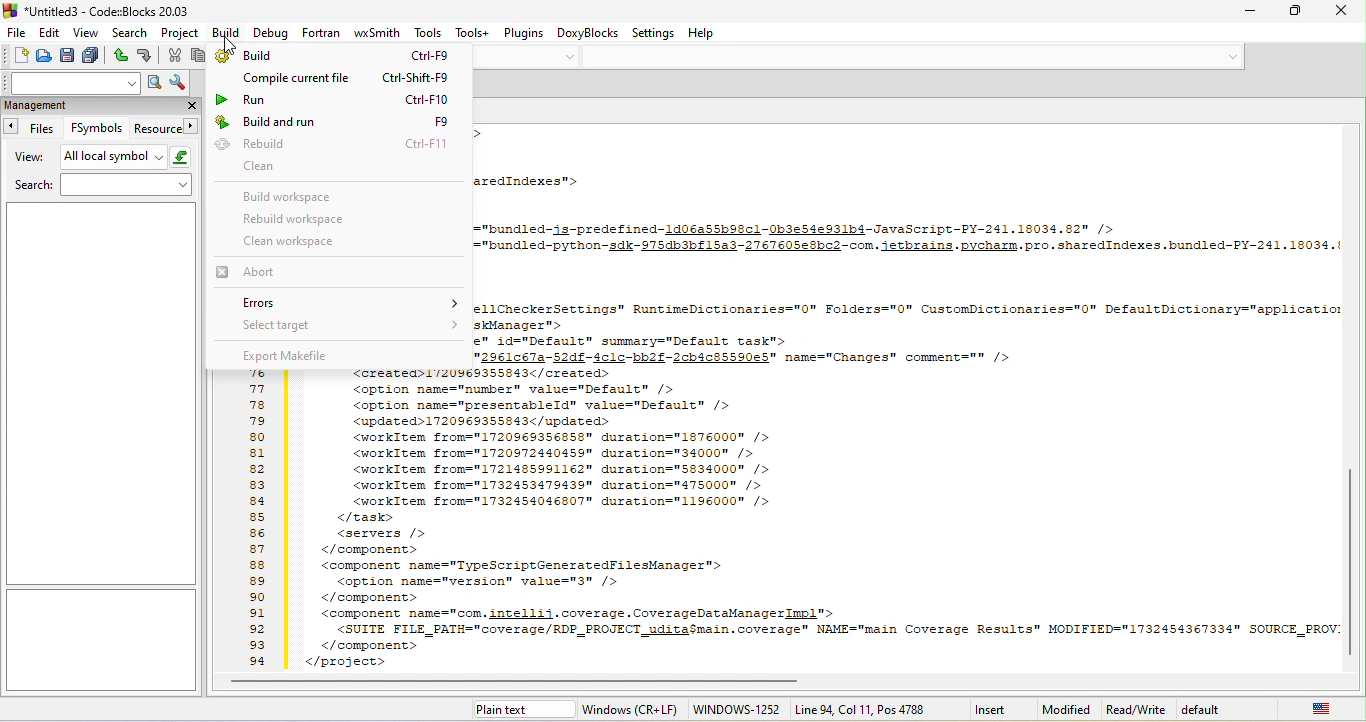 Image resolution: width=1366 pixels, height=722 pixels. What do you see at coordinates (332, 144) in the screenshot?
I see `rebuild` at bounding box center [332, 144].